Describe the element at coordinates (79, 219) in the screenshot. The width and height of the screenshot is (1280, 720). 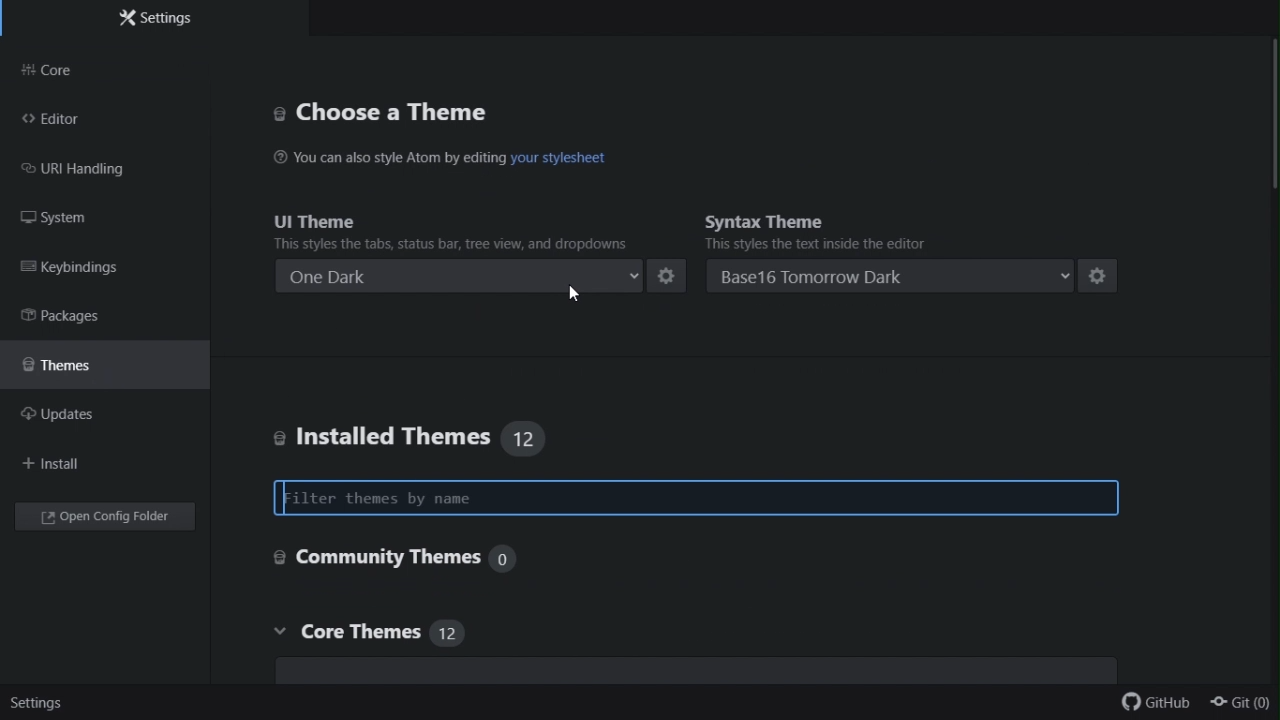
I see `System` at that location.